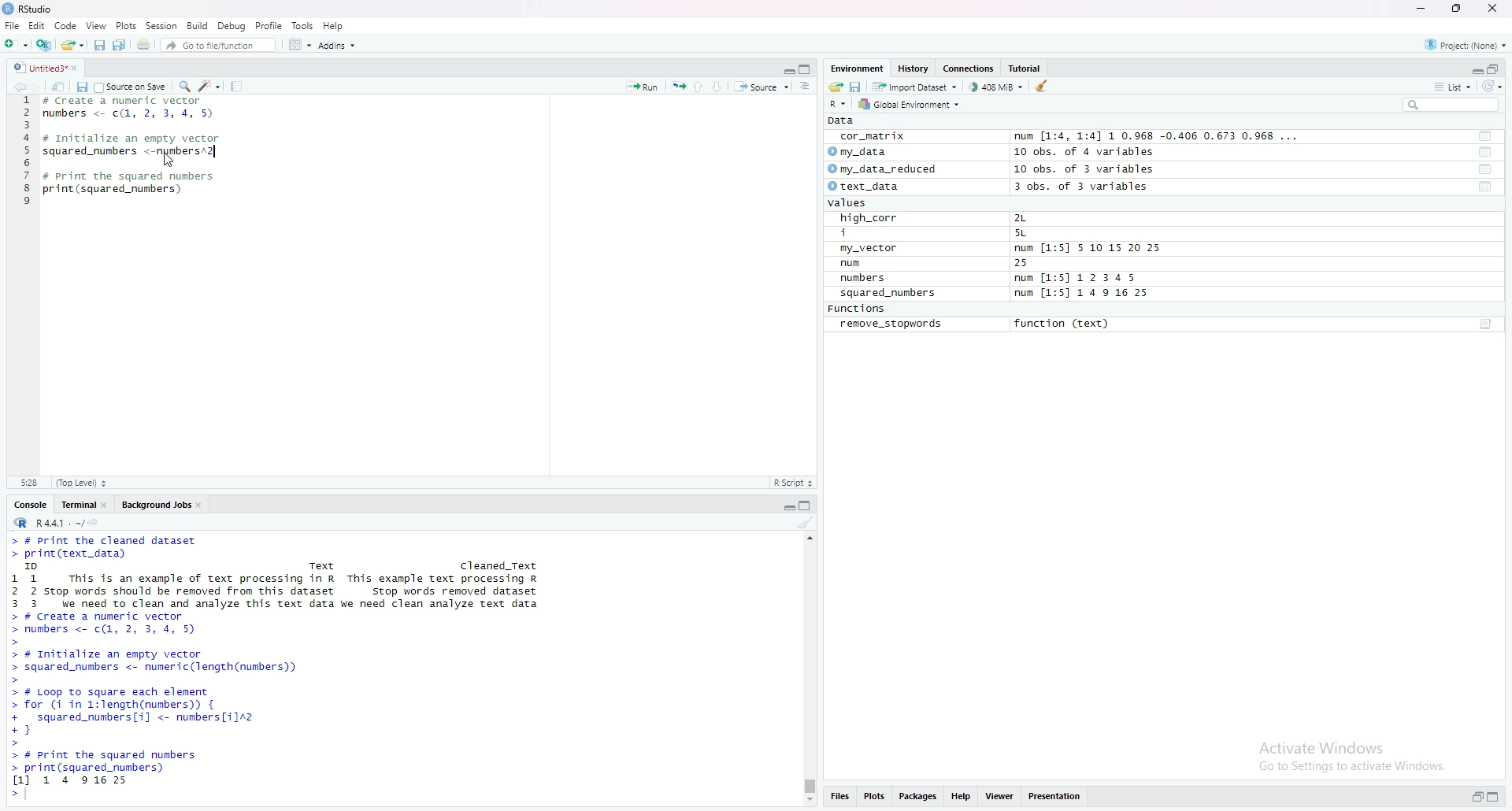 The image size is (1512, 811). I want to click on maximize, so click(1498, 798).